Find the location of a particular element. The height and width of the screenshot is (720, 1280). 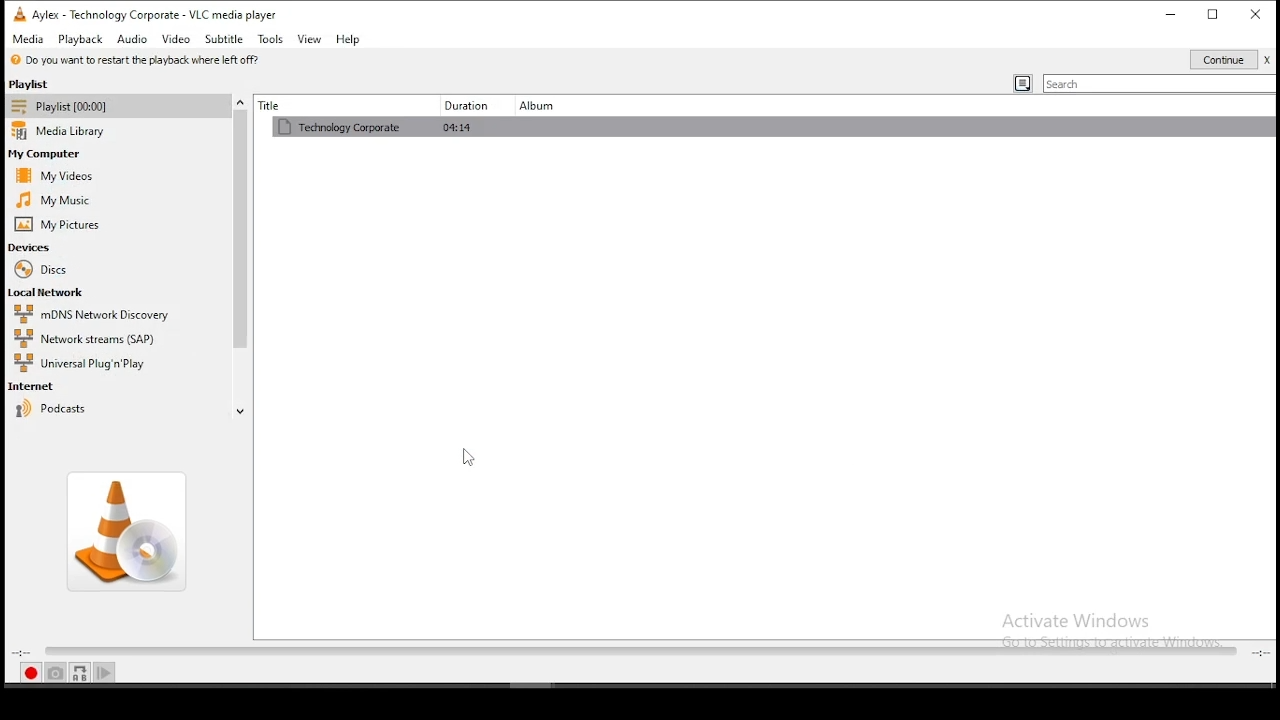

total/remaining time is located at coordinates (1258, 649).